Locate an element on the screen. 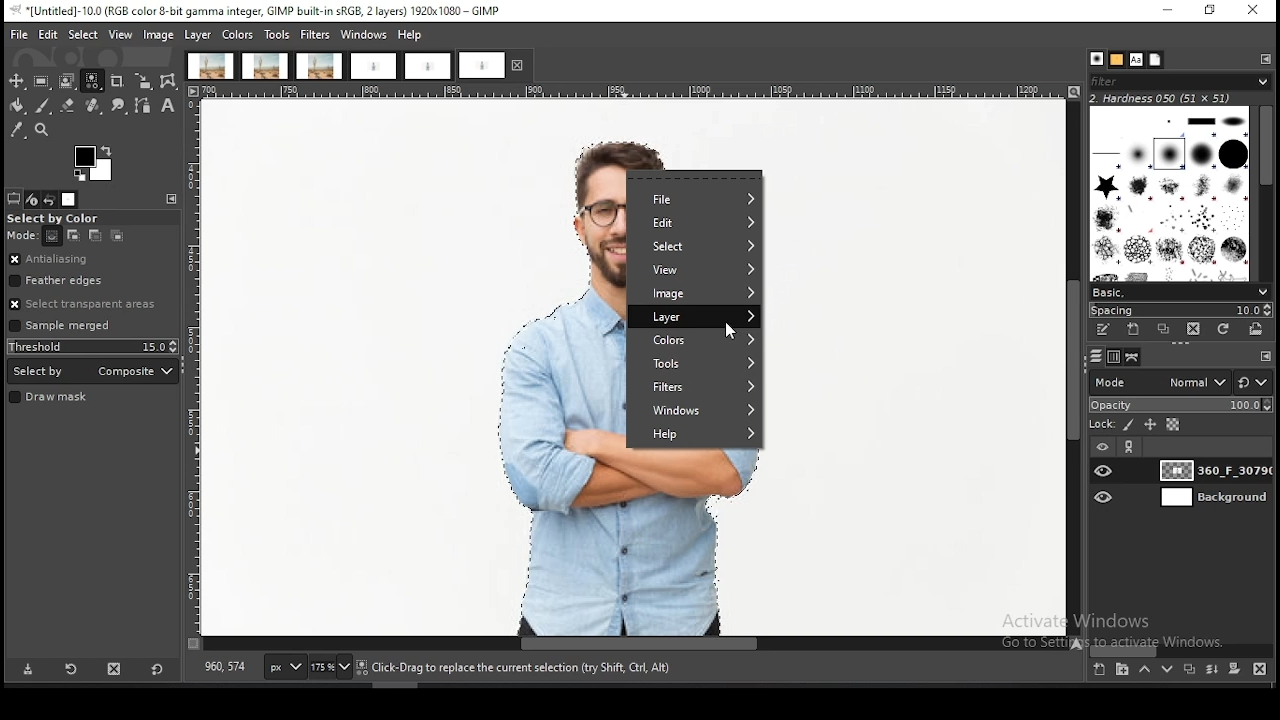 This screenshot has width=1280, height=720. configure this tab is located at coordinates (1267, 59).